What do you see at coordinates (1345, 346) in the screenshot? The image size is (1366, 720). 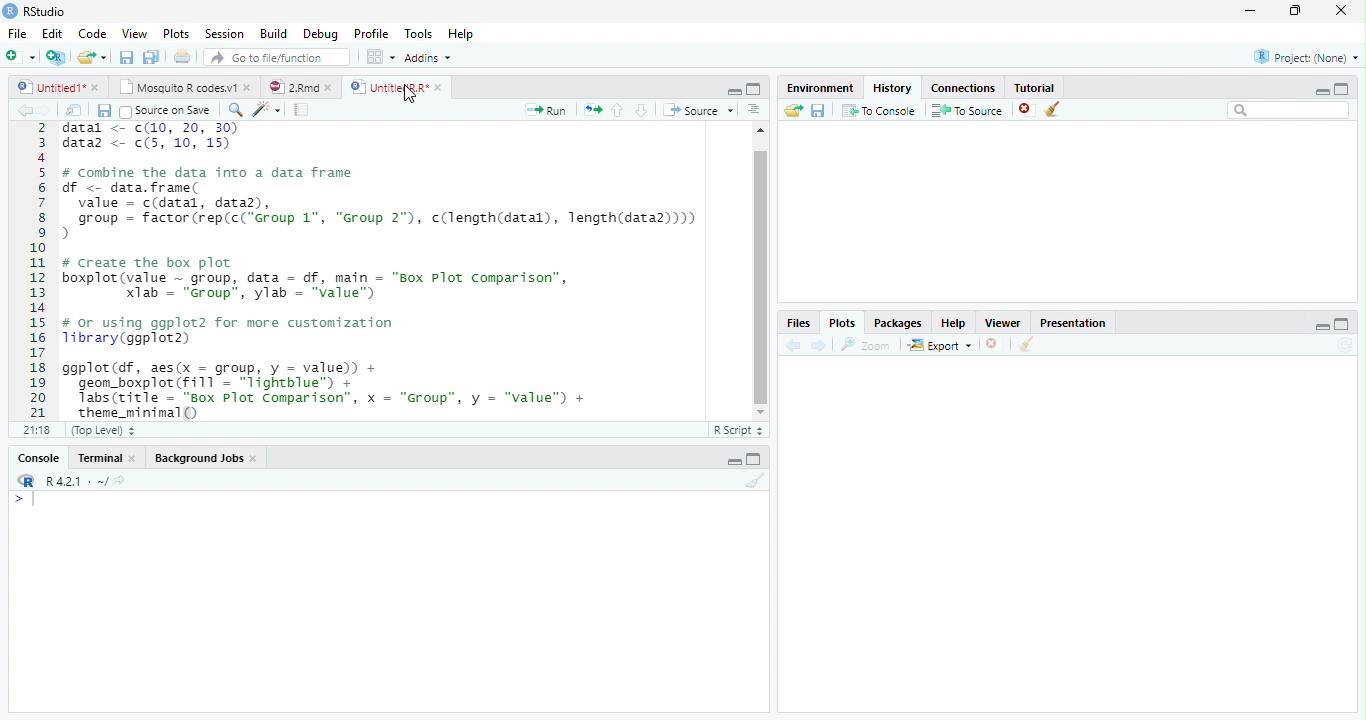 I see `Refresh current plot` at bounding box center [1345, 346].